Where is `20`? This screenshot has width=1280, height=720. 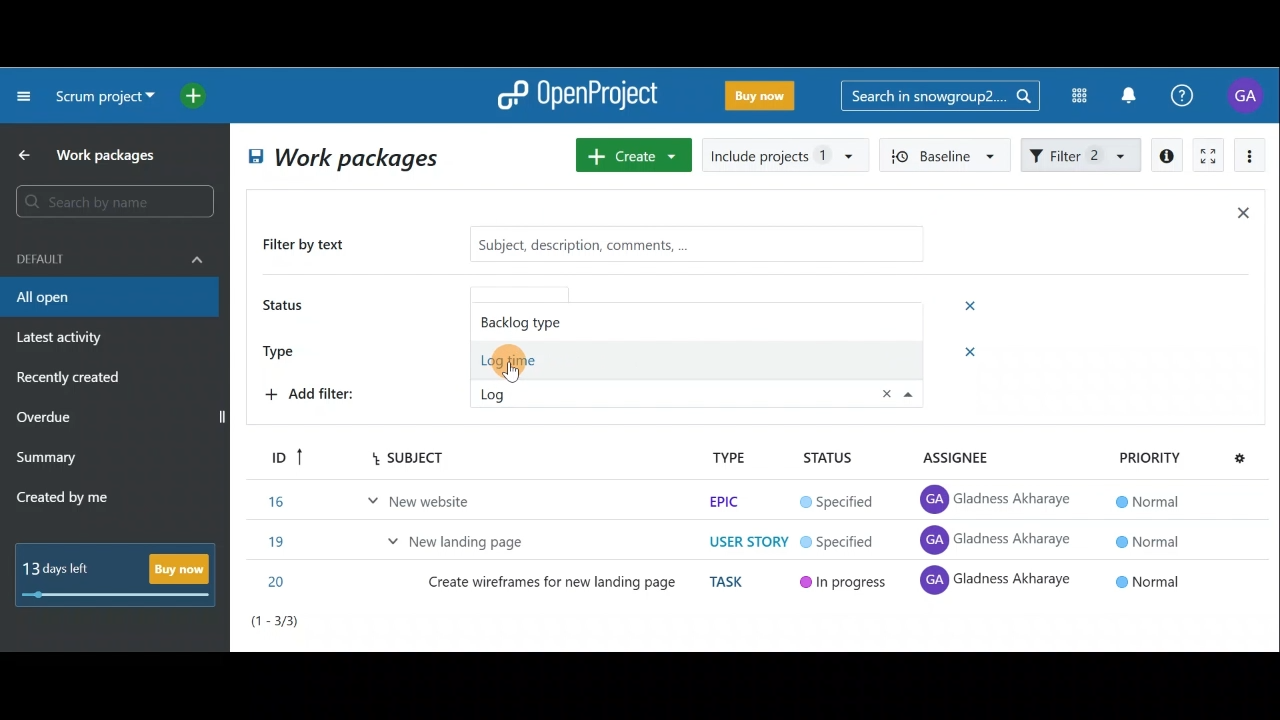 20 is located at coordinates (279, 582).